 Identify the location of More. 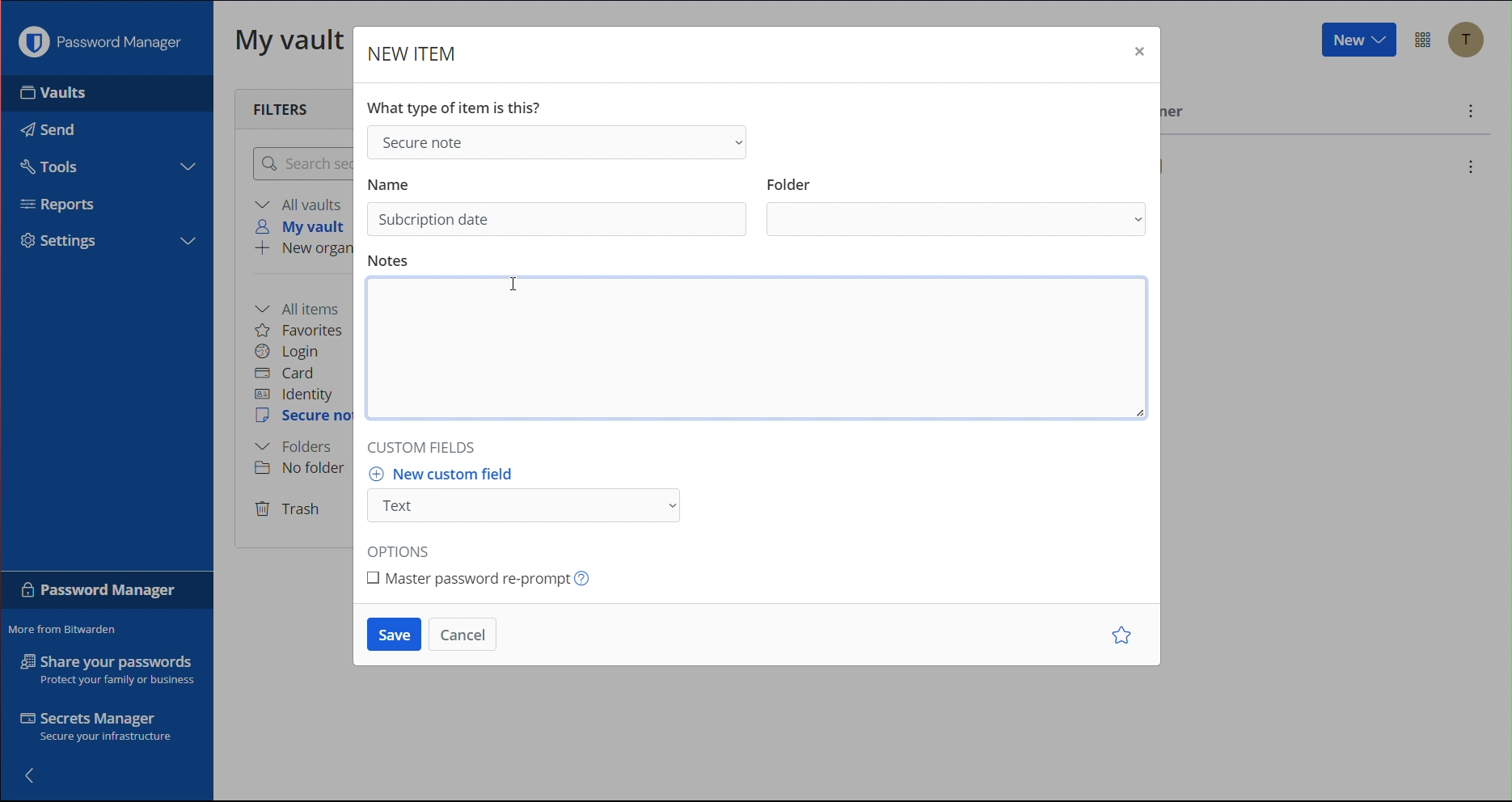
(1472, 113).